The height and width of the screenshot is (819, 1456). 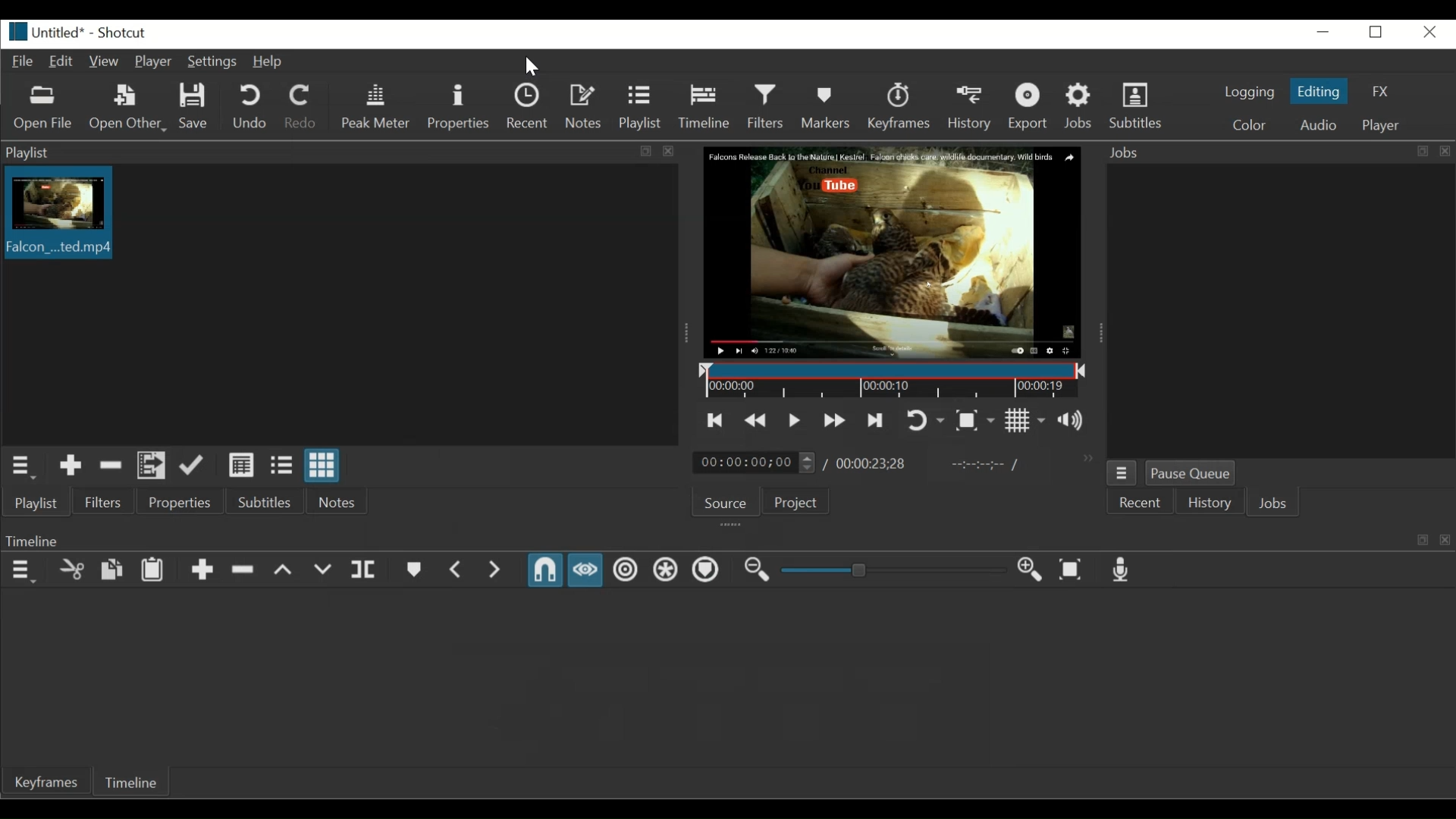 What do you see at coordinates (1278, 309) in the screenshot?
I see `Jobs panel` at bounding box center [1278, 309].